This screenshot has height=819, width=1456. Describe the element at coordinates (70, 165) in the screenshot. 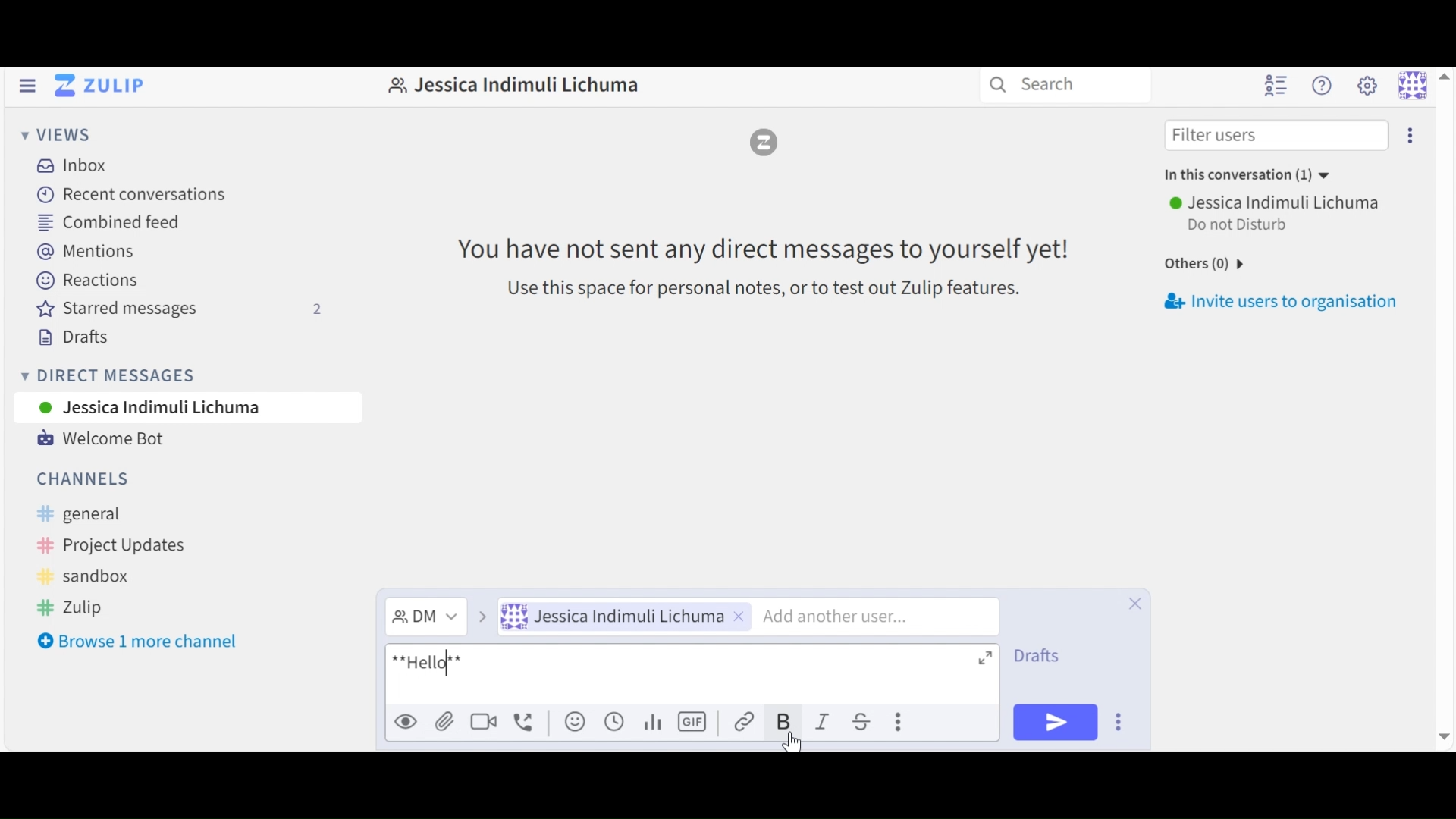

I see `Inbox` at that location.